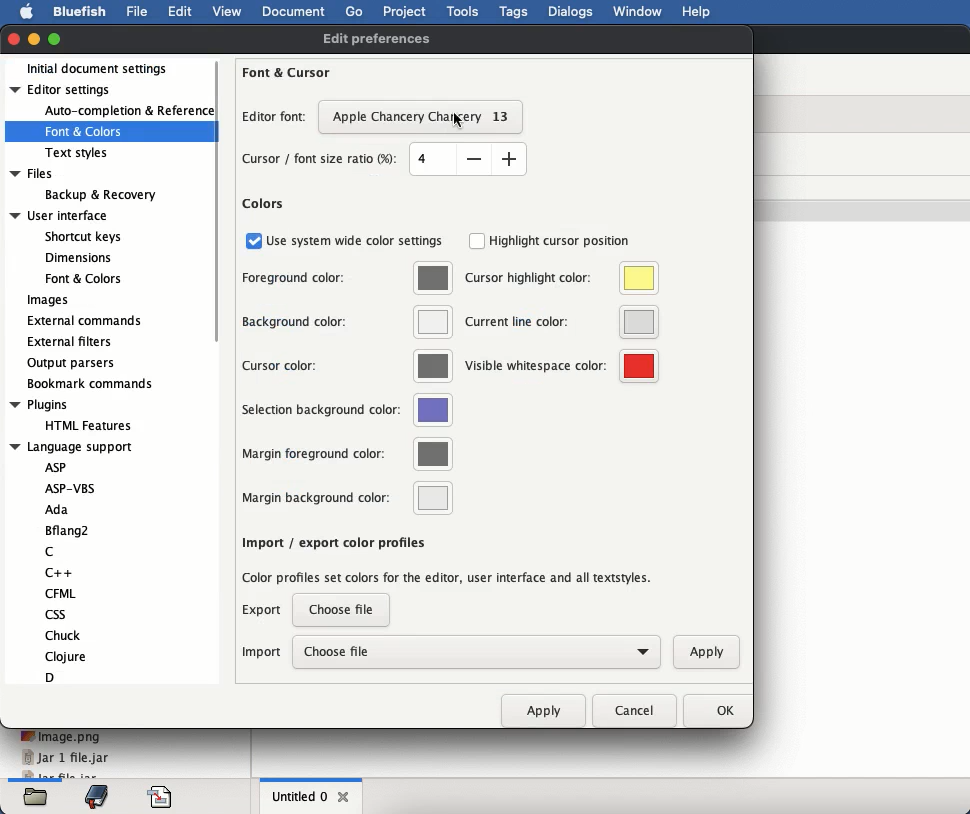 The width and height of the screenshot is (970, 814). What do you see at coordinates (701, 650) in the screenshot?
I see `apply` at bounding box center [701, 650].